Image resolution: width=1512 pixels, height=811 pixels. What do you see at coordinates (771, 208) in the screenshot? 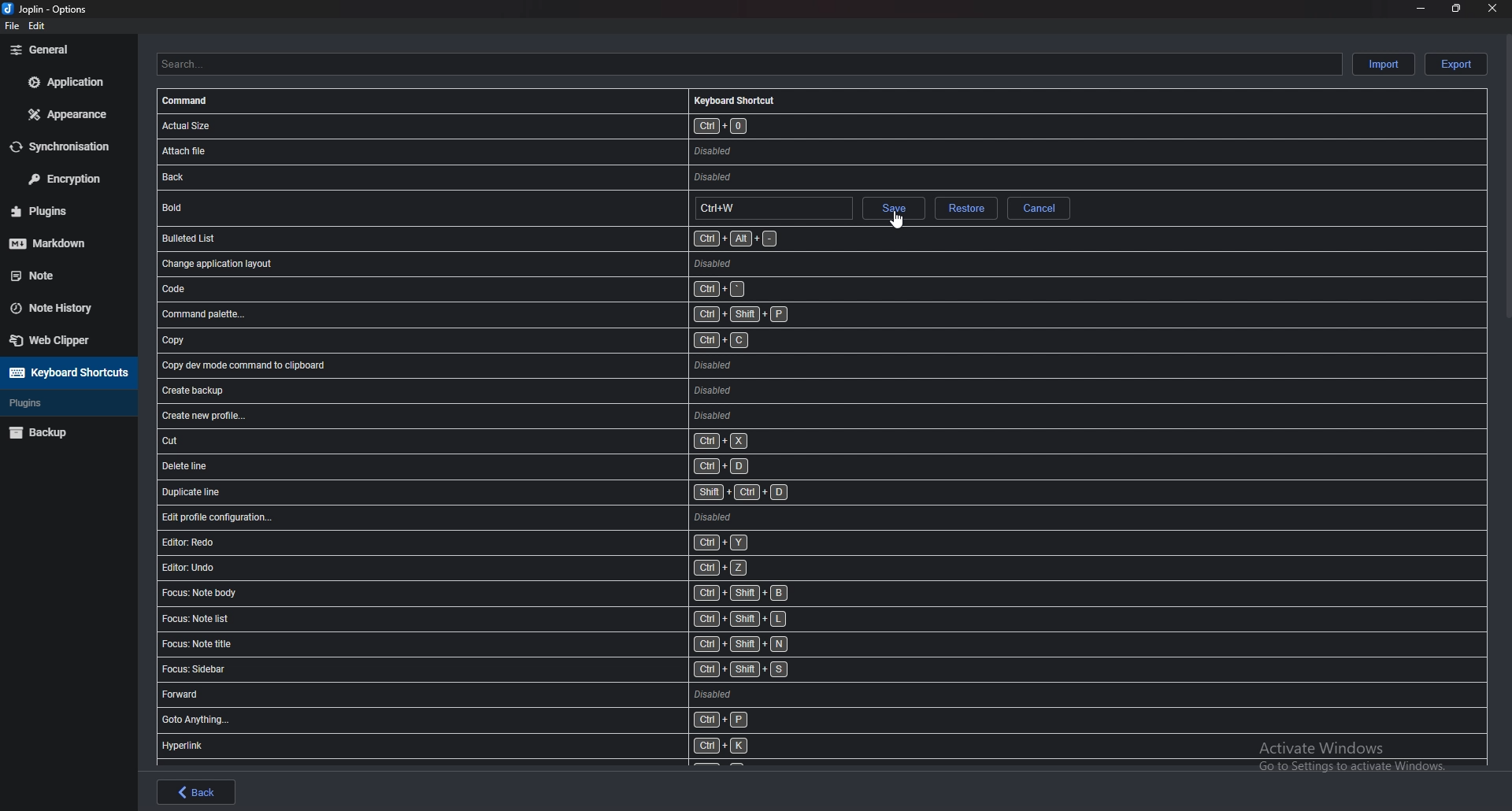
I see `Hotkey` at bounding box center [771, 208].